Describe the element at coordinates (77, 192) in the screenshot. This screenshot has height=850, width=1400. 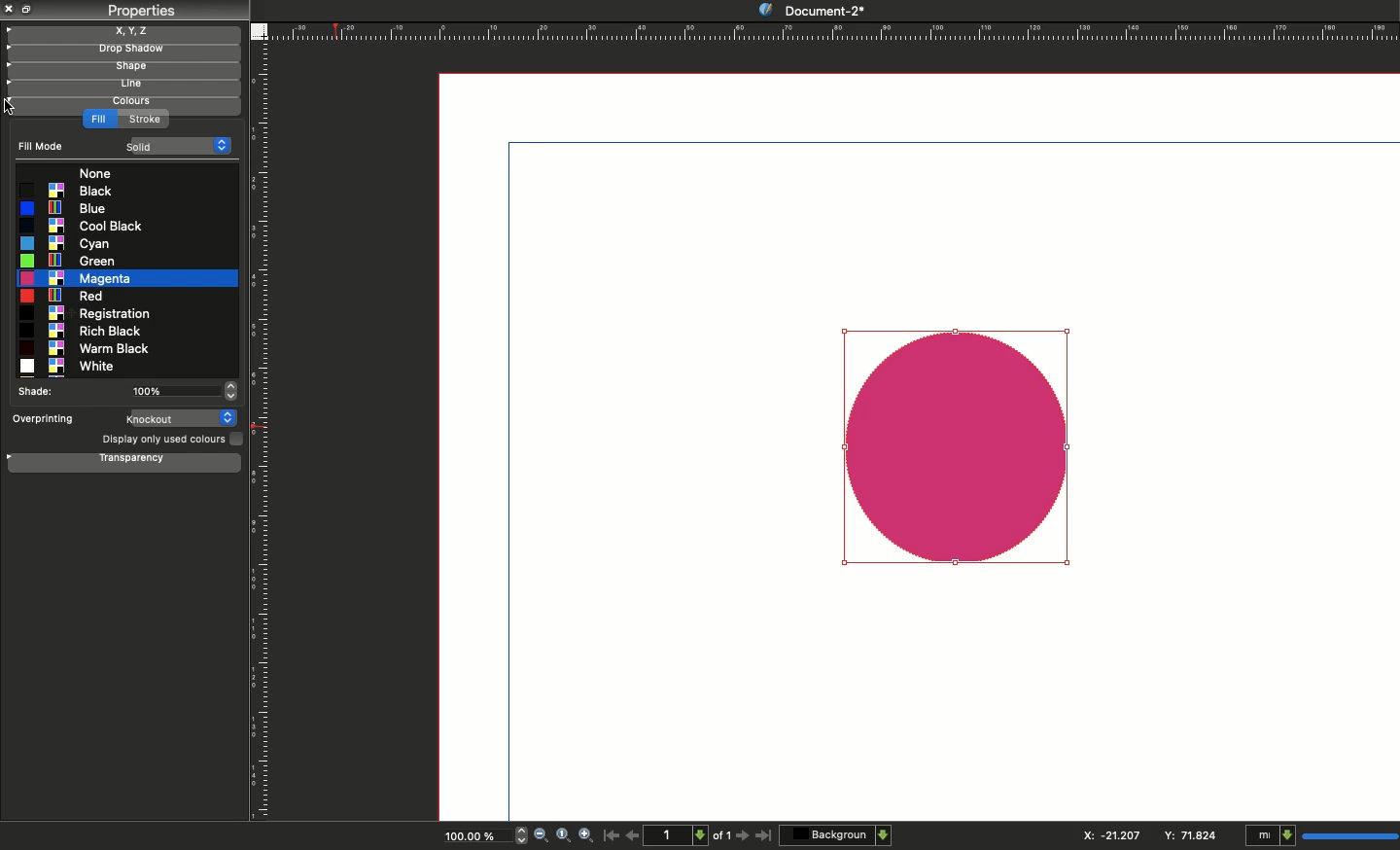
I see `Blak` at that location.